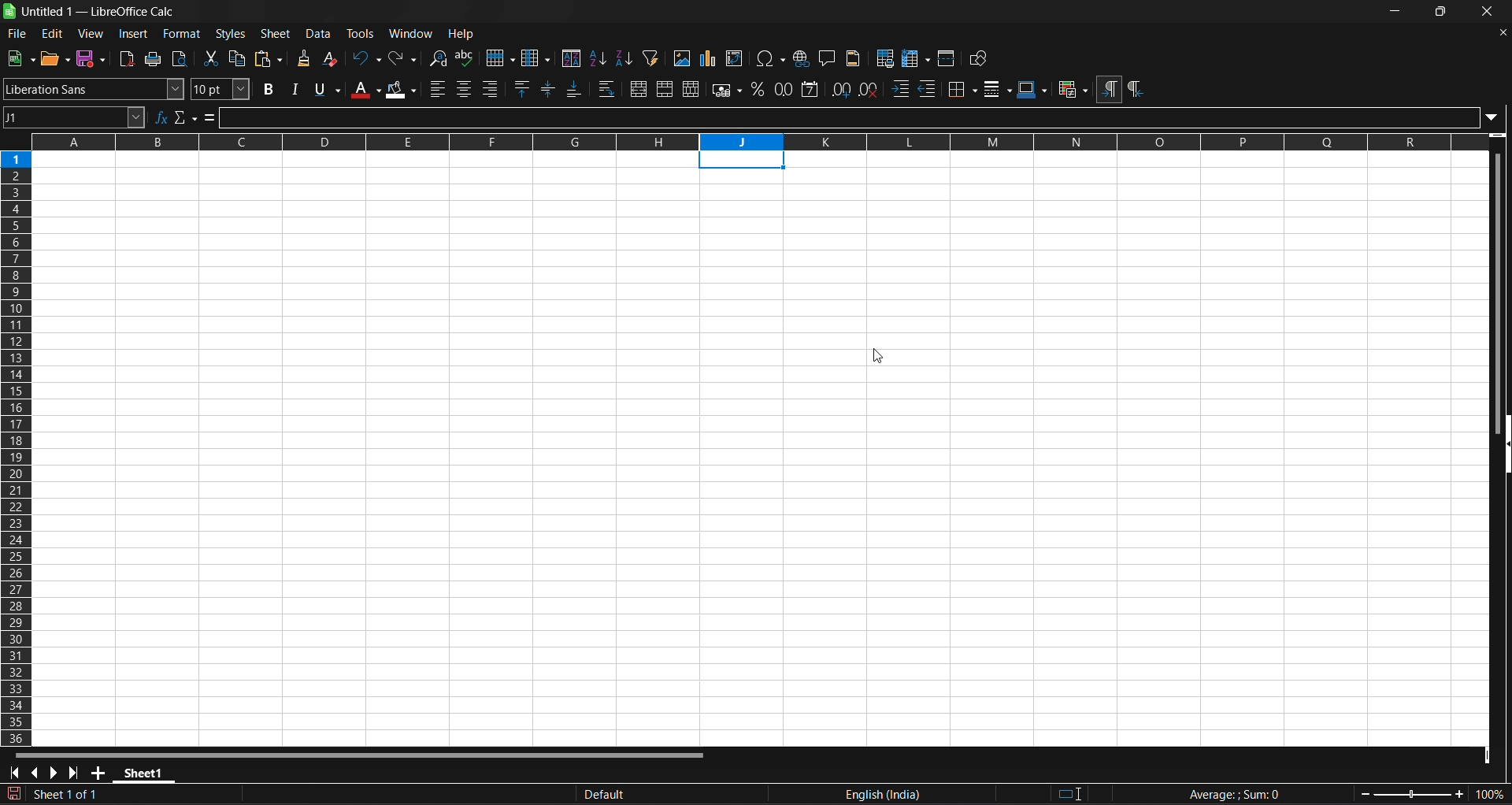 This screenshot has height=805, width=1512. What do you see at coordinates (1439, 13) in the screenshot?
I see `maximize` at bounding box center [1439, 13].